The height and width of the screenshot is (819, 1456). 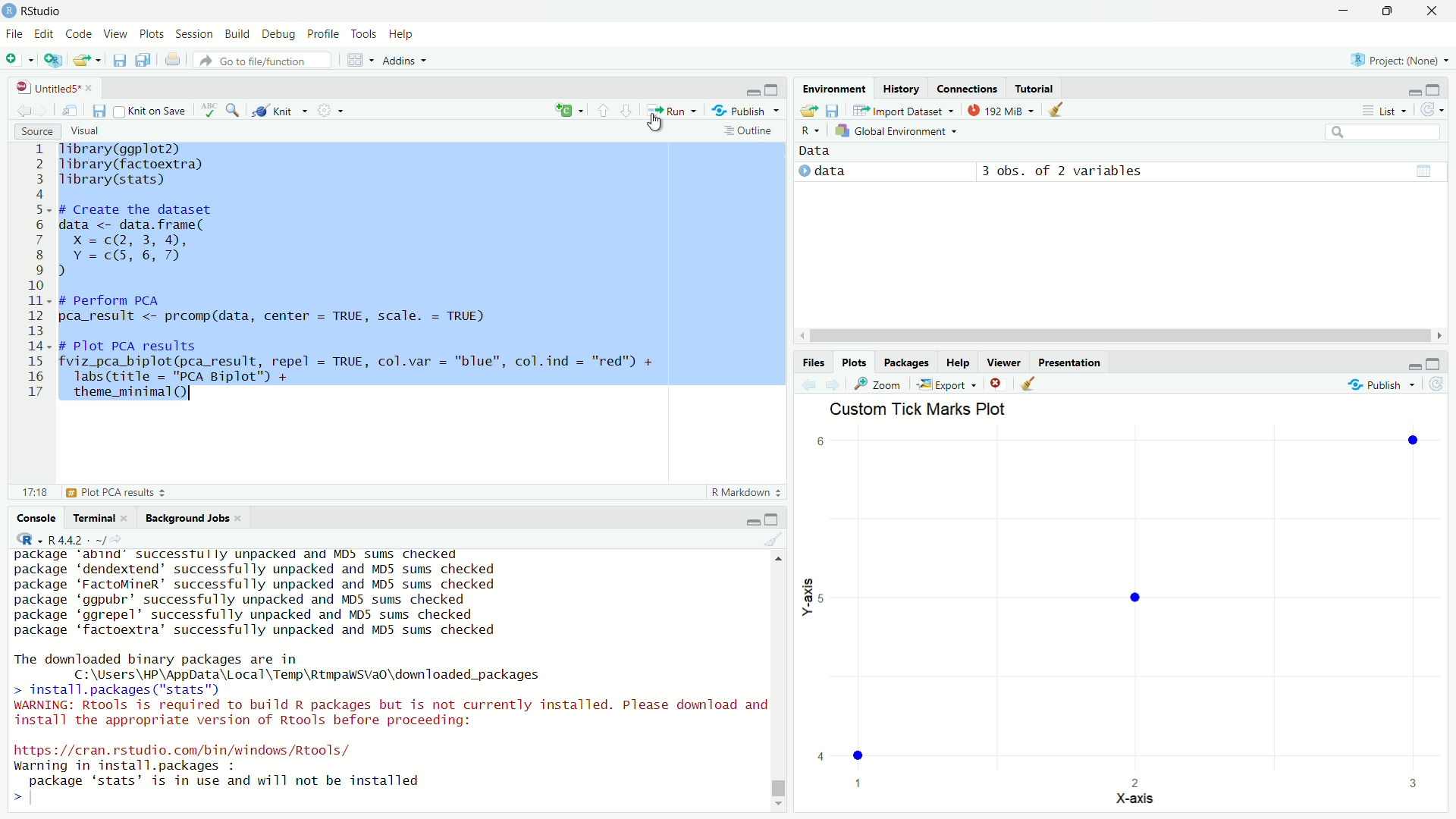 What do you see at coordinates (15, 35) in the screenshot?
I see `File` at bounding box center [15, 35].